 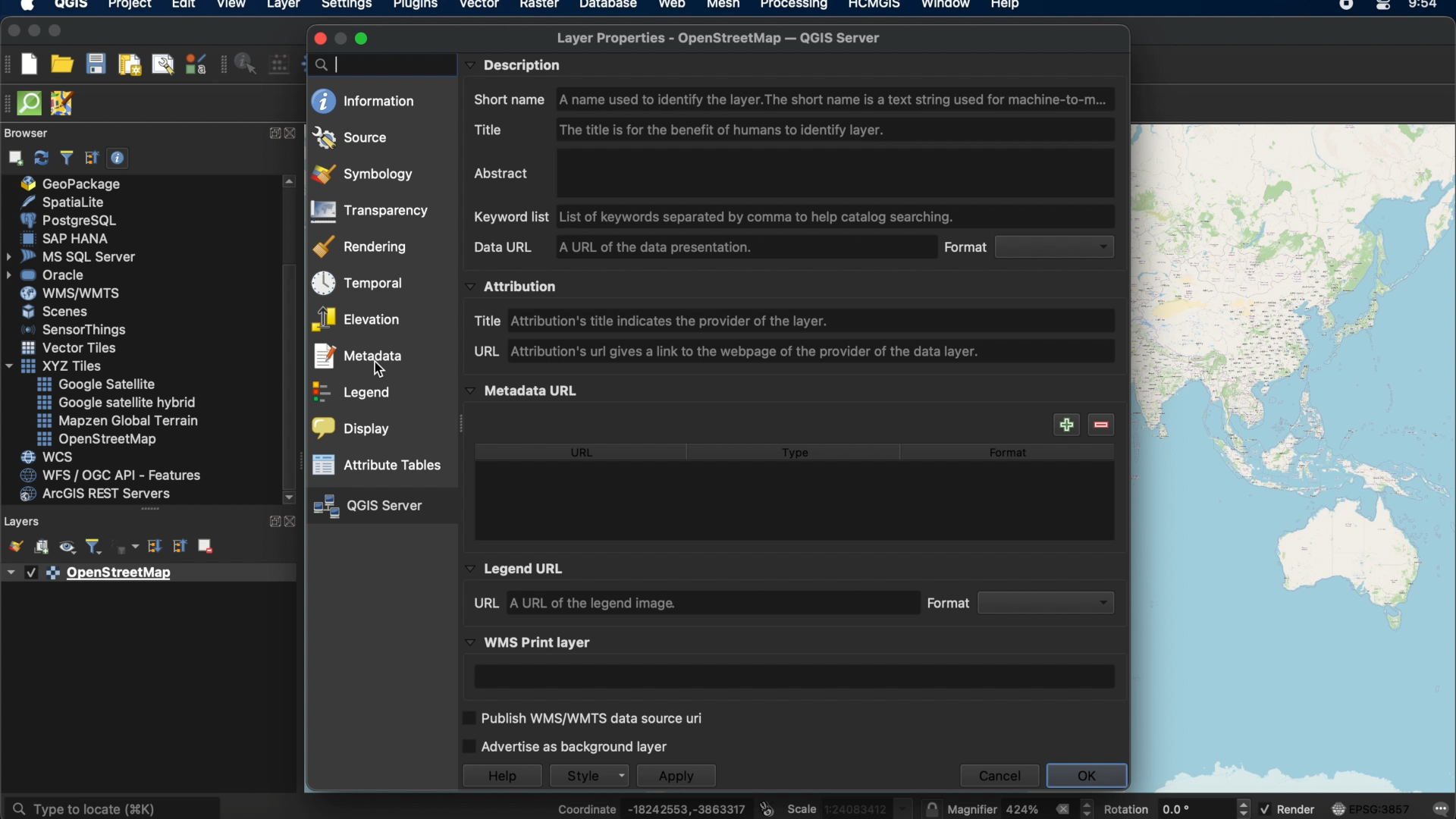 What do you see at coordinates (1006, 6) in the screenshot?
I see `help` at bounding box center [1006, 6].